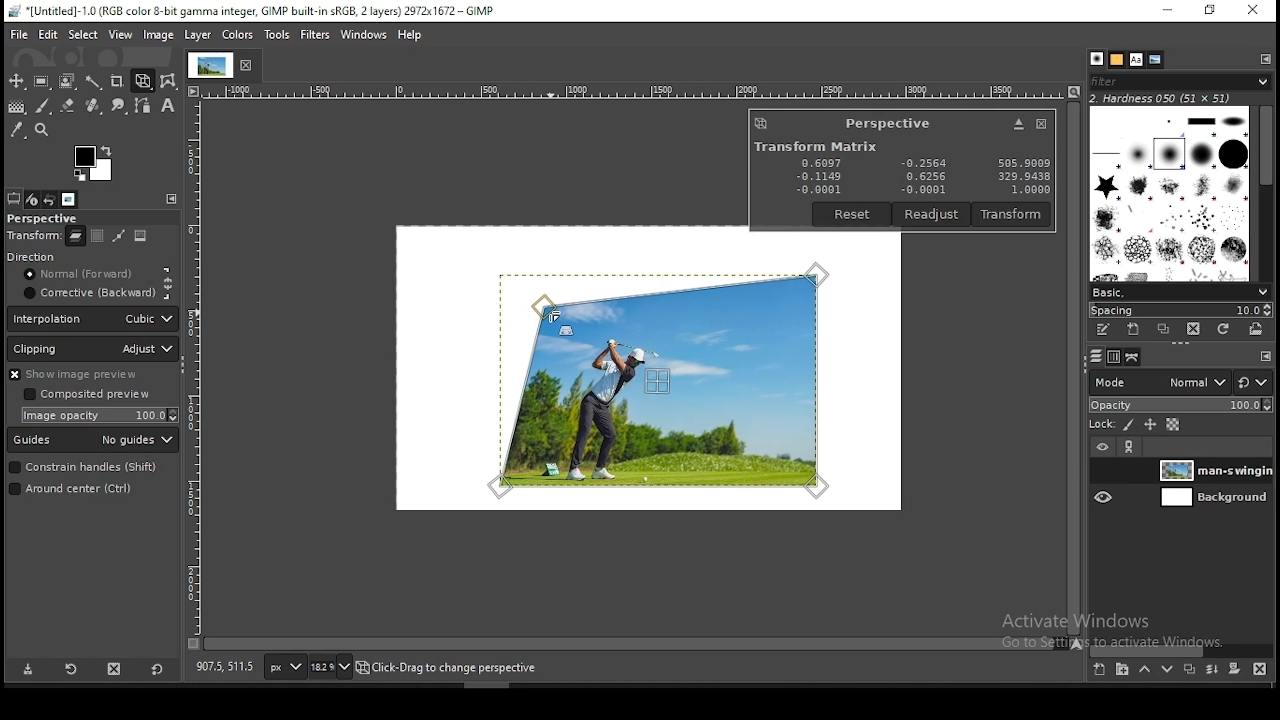  What do you see at coordinates (1212, 498) in the screenshot?
I see `layer ` at bounding box center [1212, 498].